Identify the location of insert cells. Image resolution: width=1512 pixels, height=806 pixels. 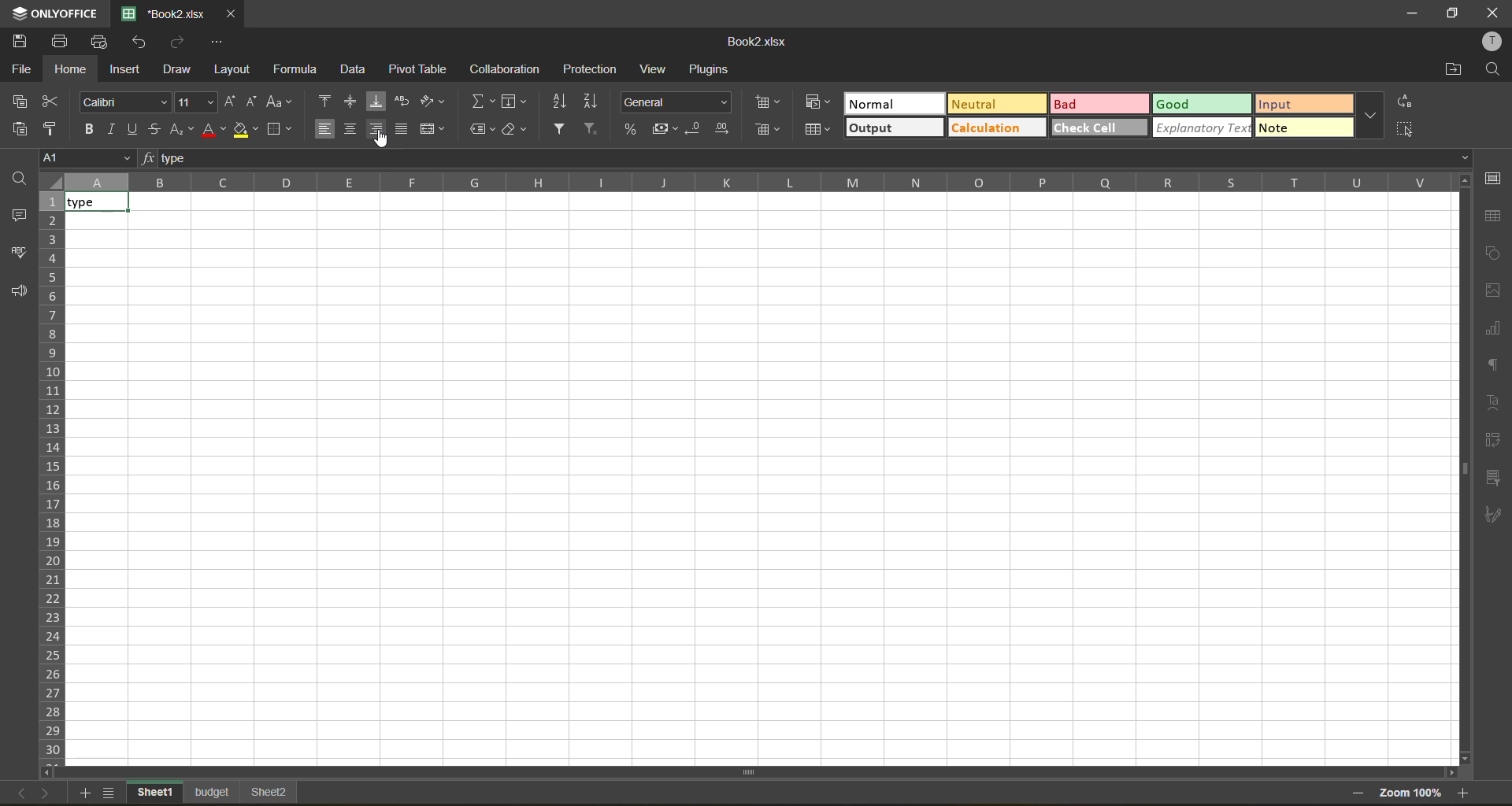
(769, 102).